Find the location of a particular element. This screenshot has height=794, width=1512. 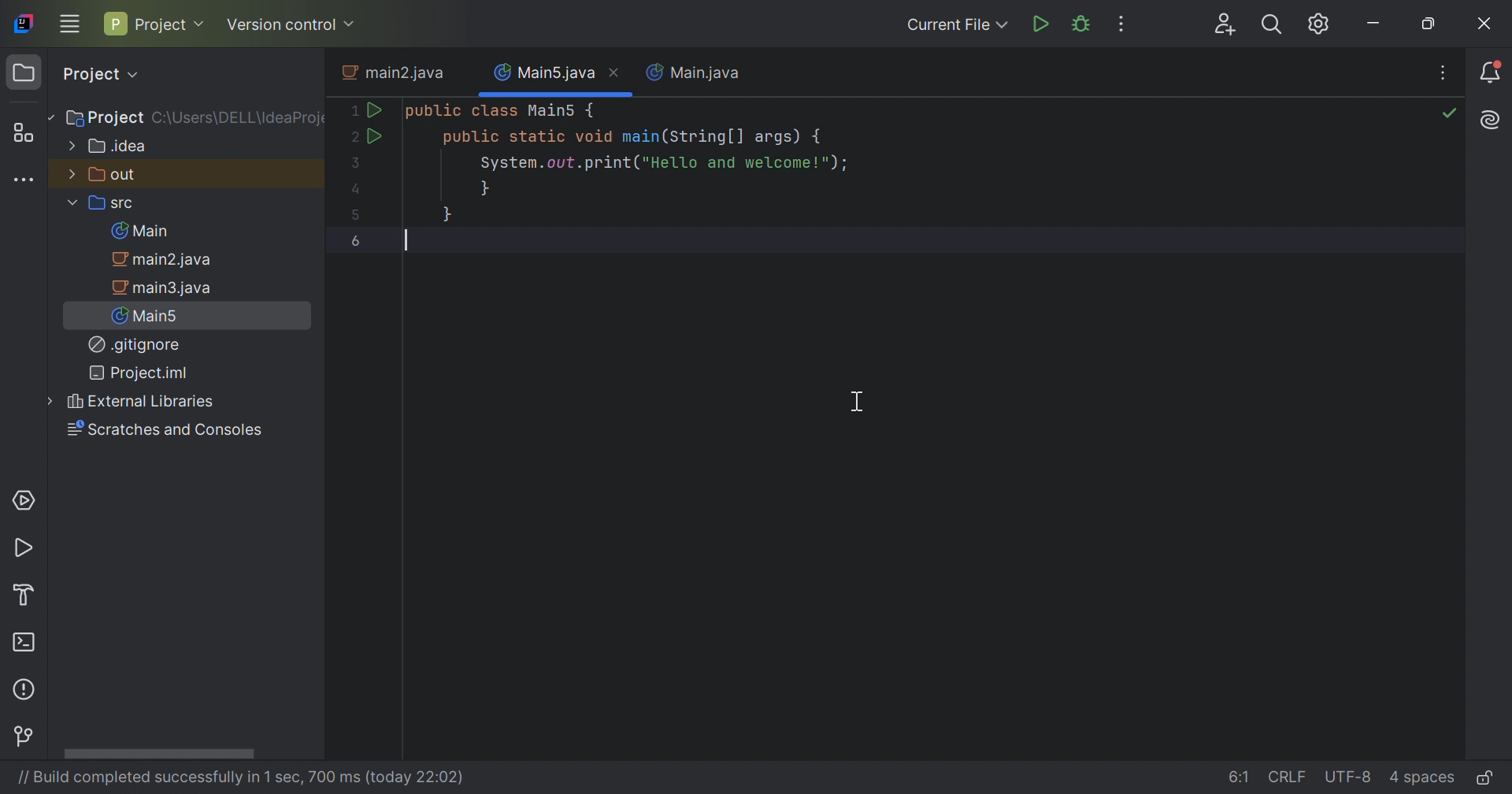

// Build completed successfully in 1 sec, 700 ms(today 22:02) is located at coordinates (237, 777).